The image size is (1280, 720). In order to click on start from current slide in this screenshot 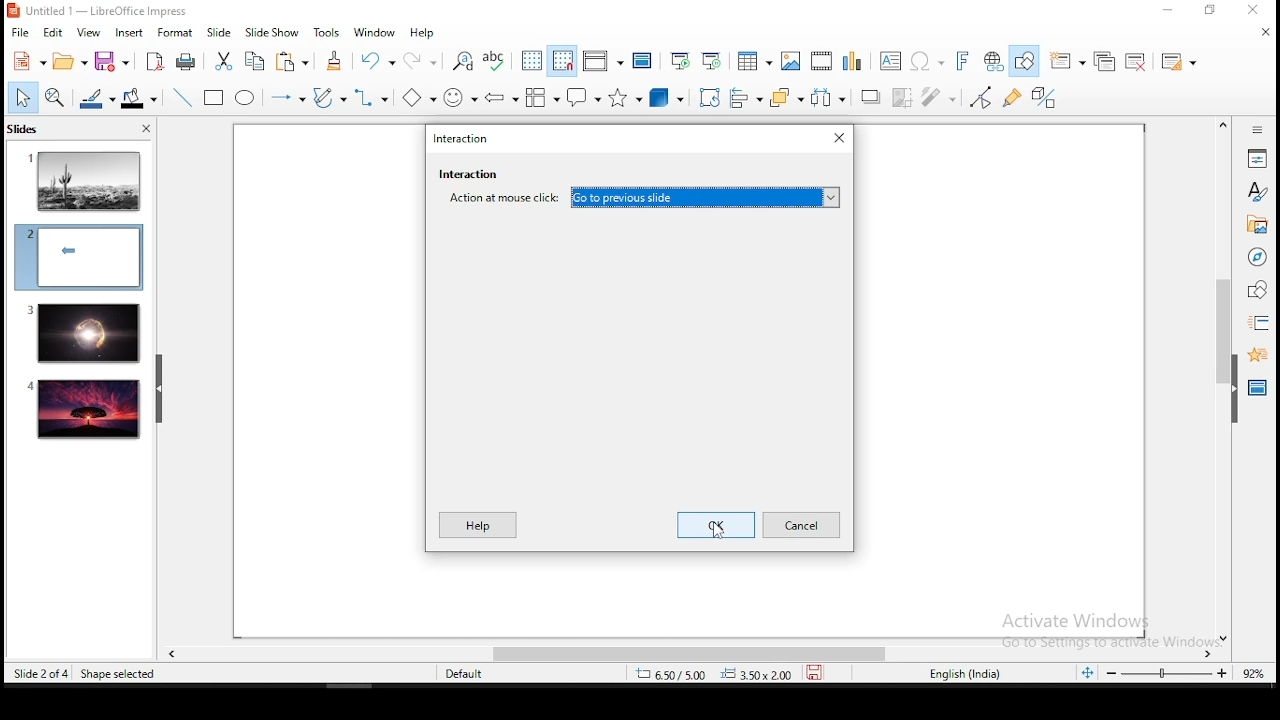, I will do `click(713, 60)`.